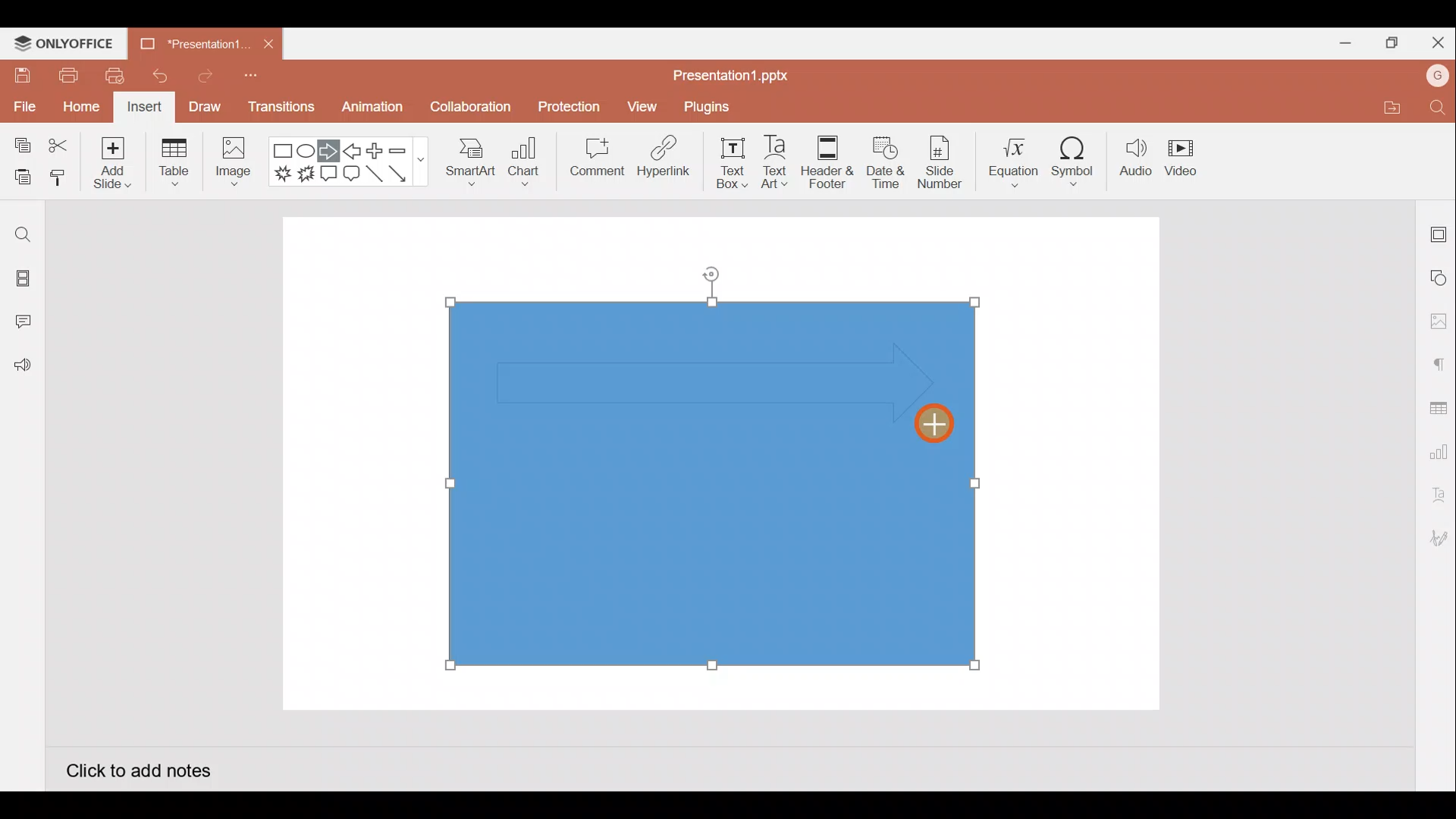 This screenshot has height=819, width=1456. What do you see at coordinates (733, 163) in the screenshot?
I see `Text box` at bounding box center [733, 163].